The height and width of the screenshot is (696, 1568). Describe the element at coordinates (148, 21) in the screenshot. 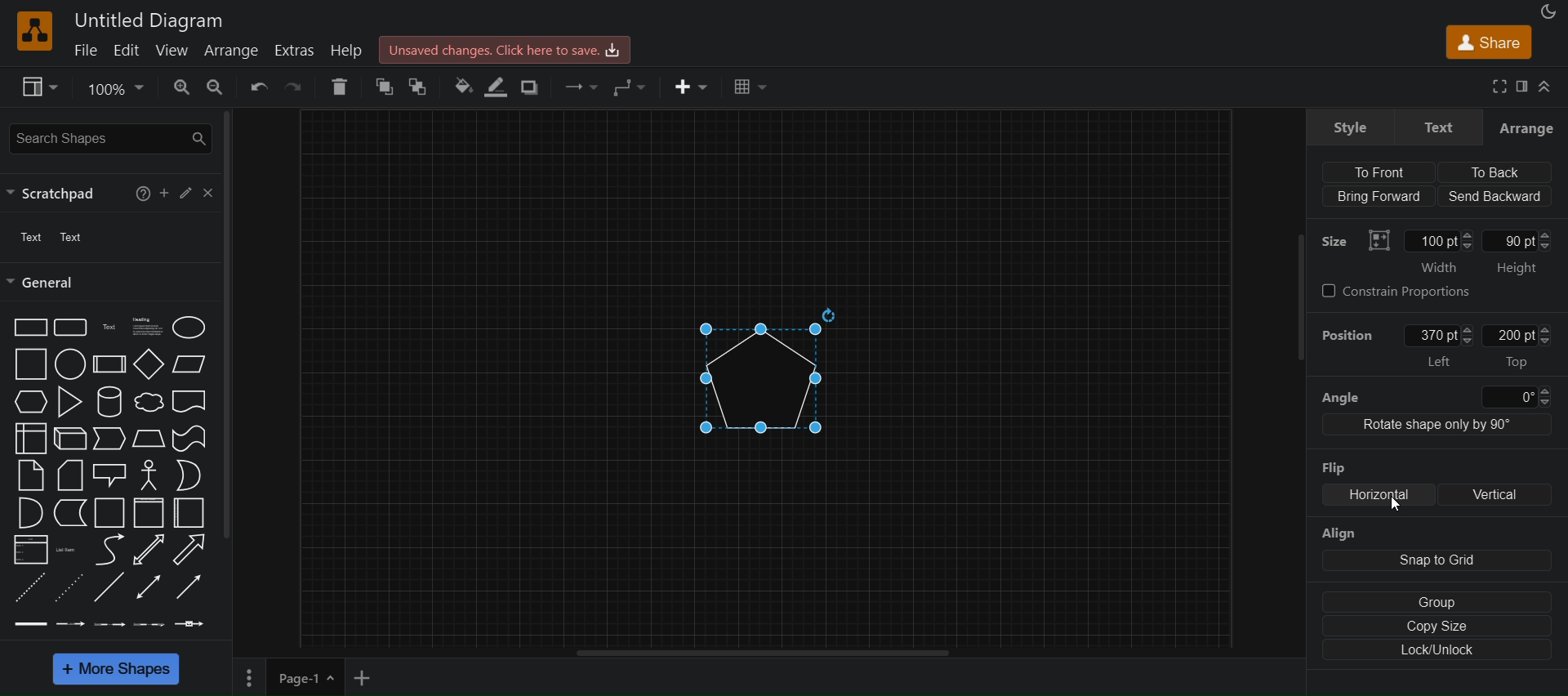

I see `Untitled diagram - project title` at that location.